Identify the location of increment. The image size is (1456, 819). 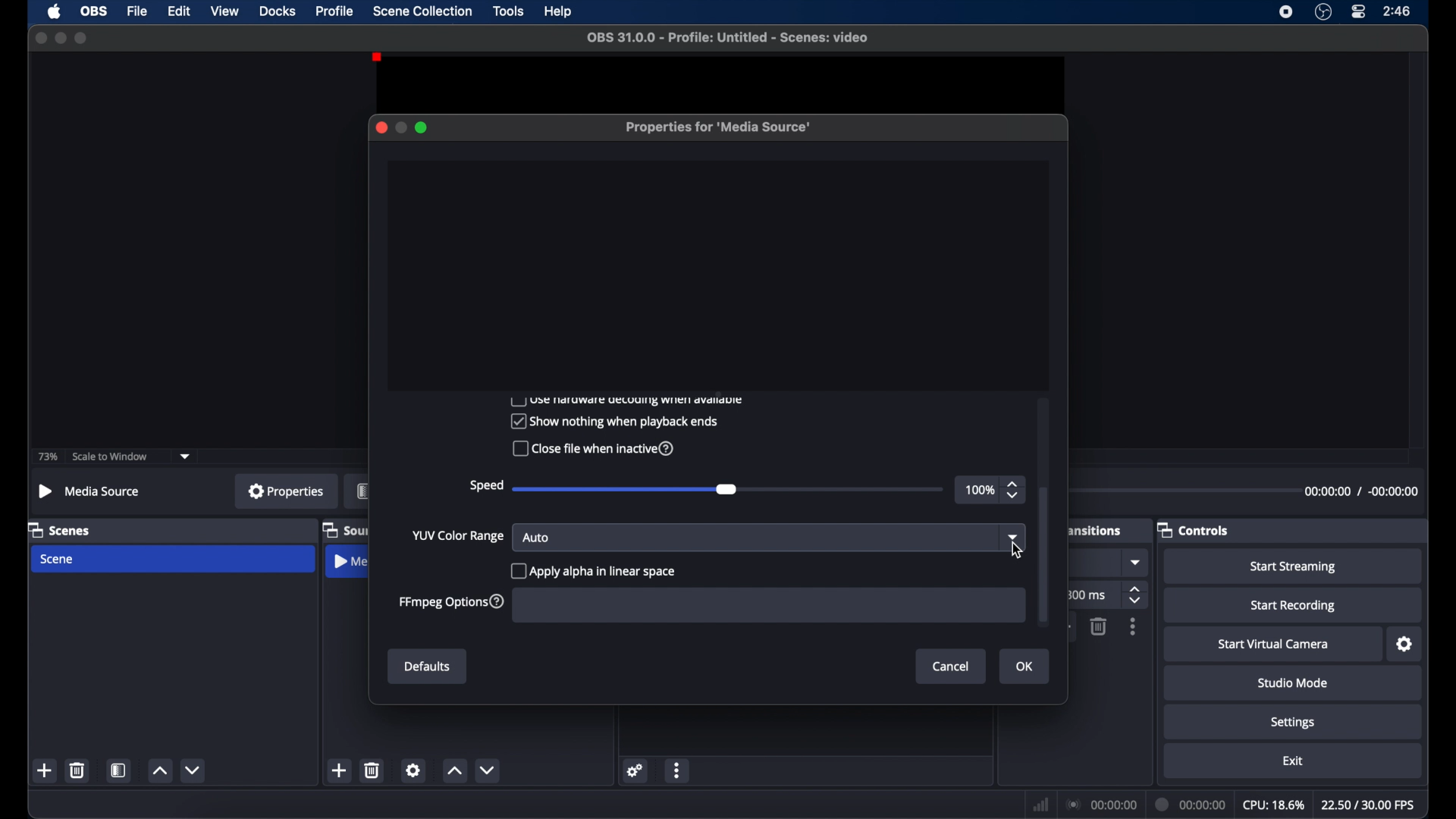
(159, 771).